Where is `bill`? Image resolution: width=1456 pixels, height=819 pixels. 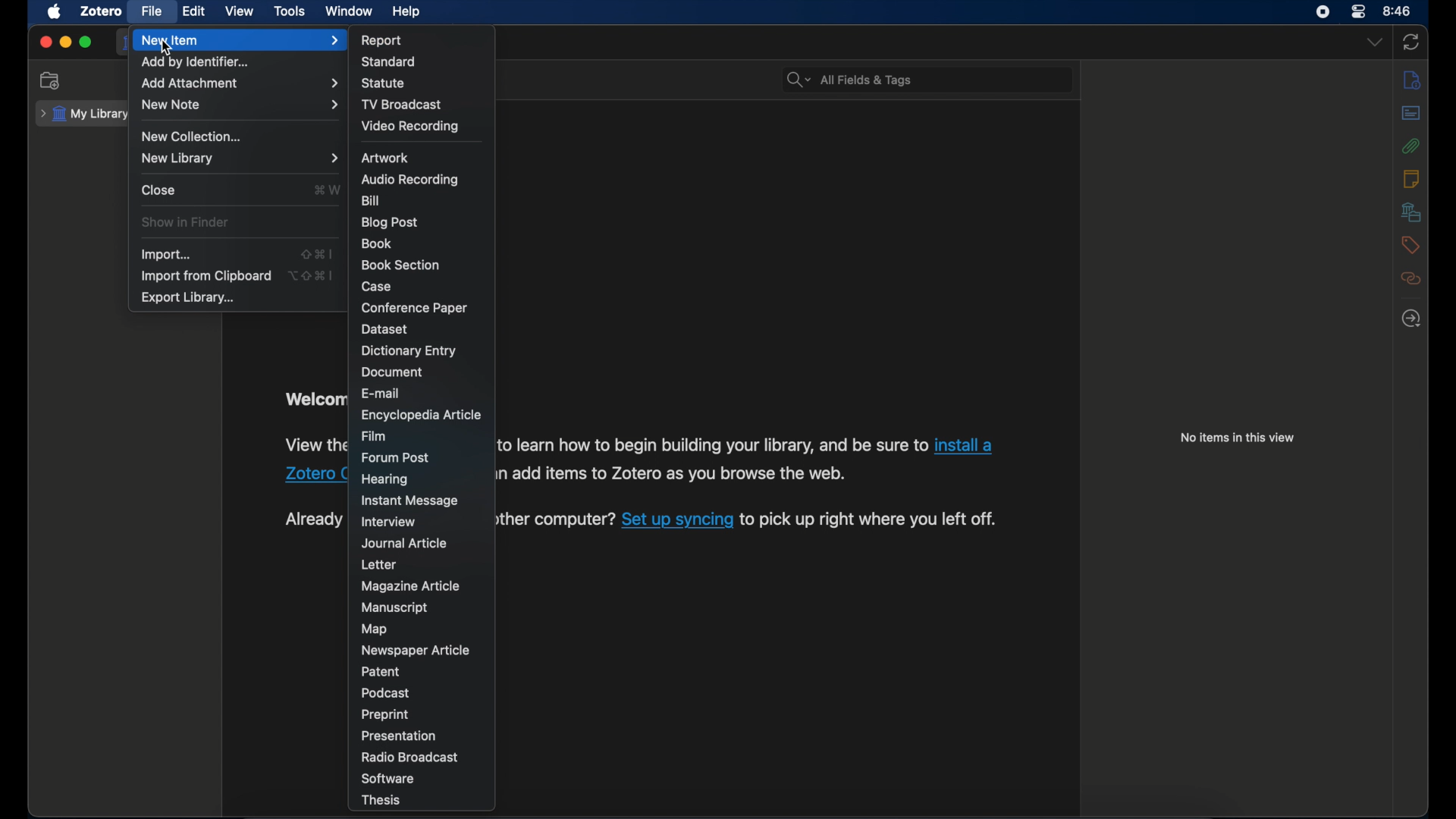 bill is located at coordinates (369, 200).